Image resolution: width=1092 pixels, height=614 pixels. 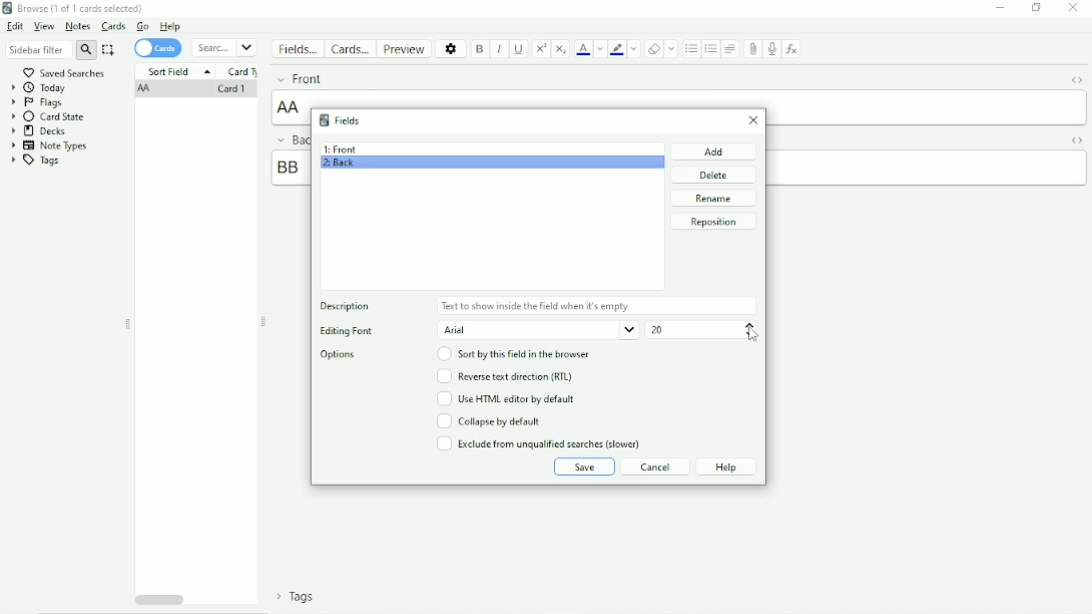 I want to click on Cards, so click(x=115, y=26).